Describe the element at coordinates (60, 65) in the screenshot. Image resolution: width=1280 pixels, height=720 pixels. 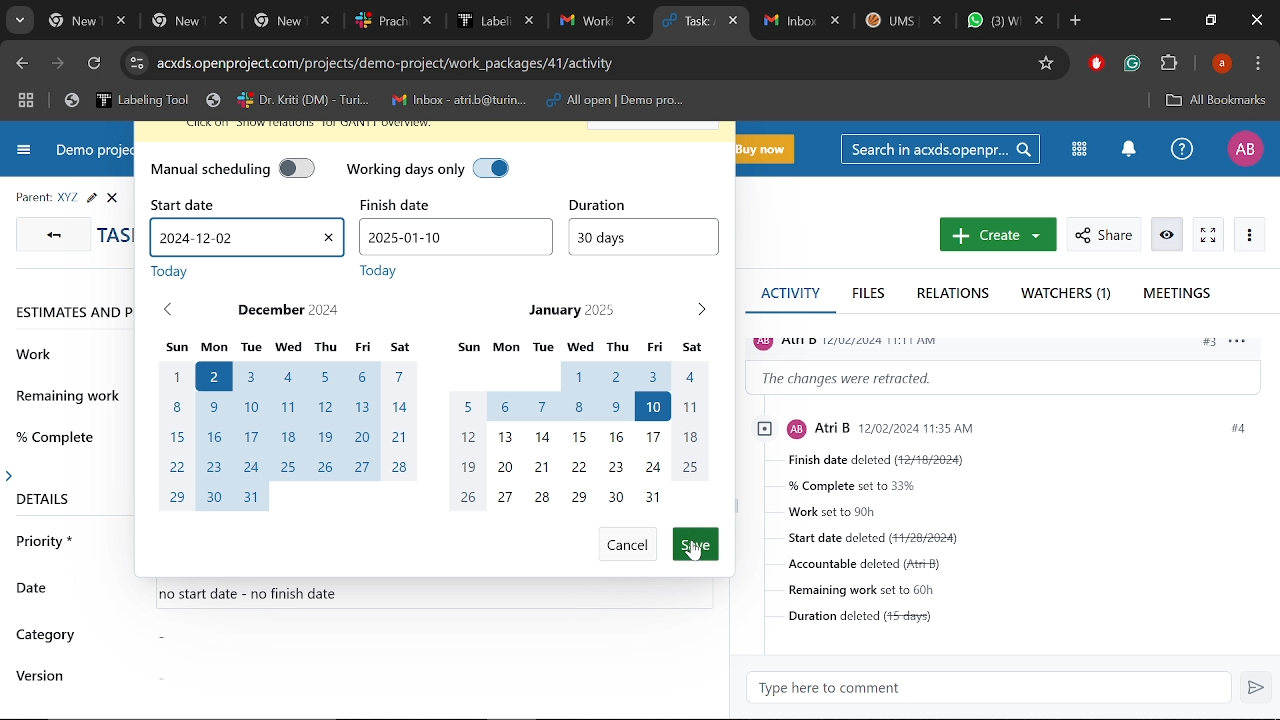
I see `Next page` at that location.